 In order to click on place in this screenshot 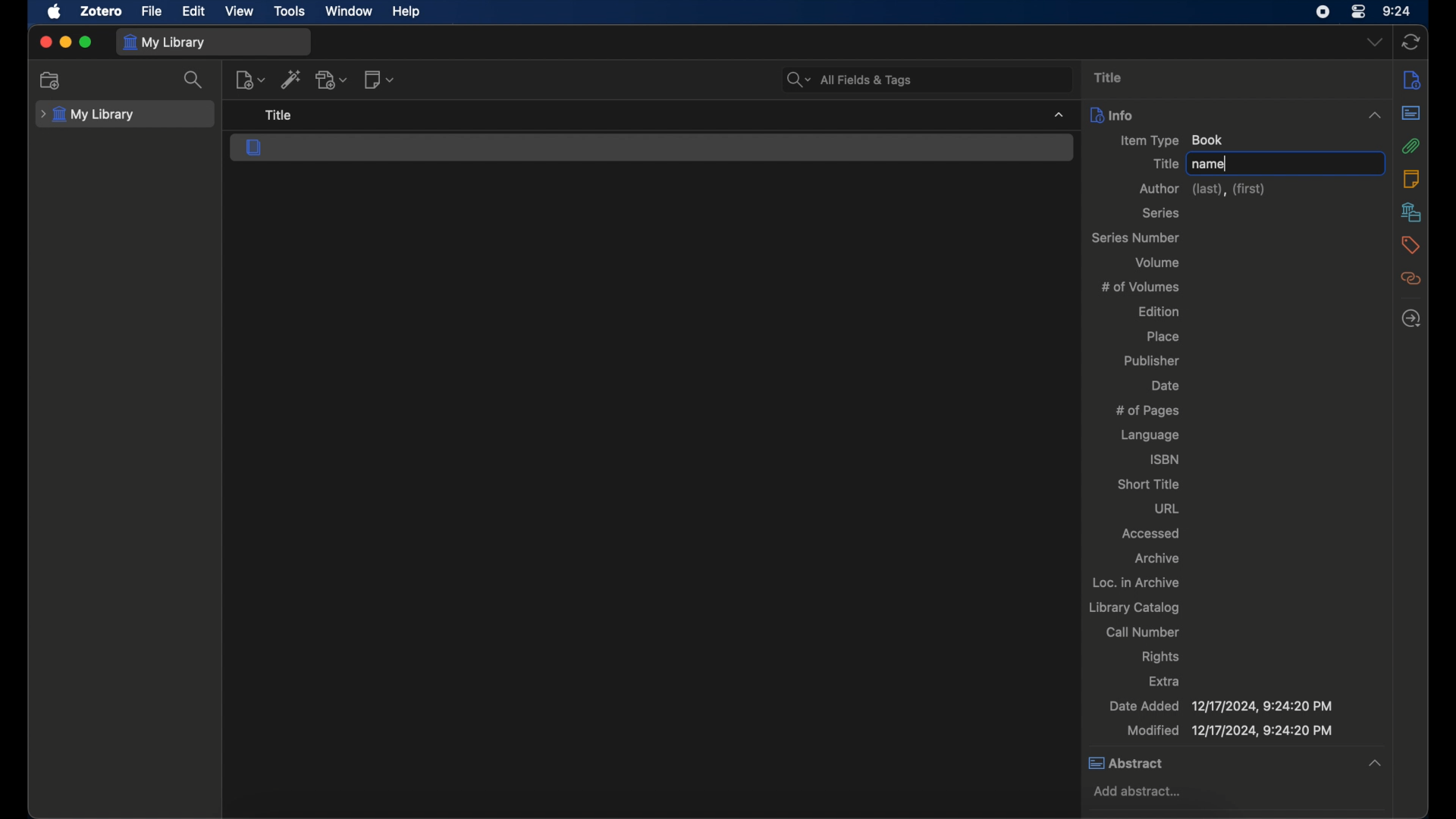, I will do `click(1164, 336)`.